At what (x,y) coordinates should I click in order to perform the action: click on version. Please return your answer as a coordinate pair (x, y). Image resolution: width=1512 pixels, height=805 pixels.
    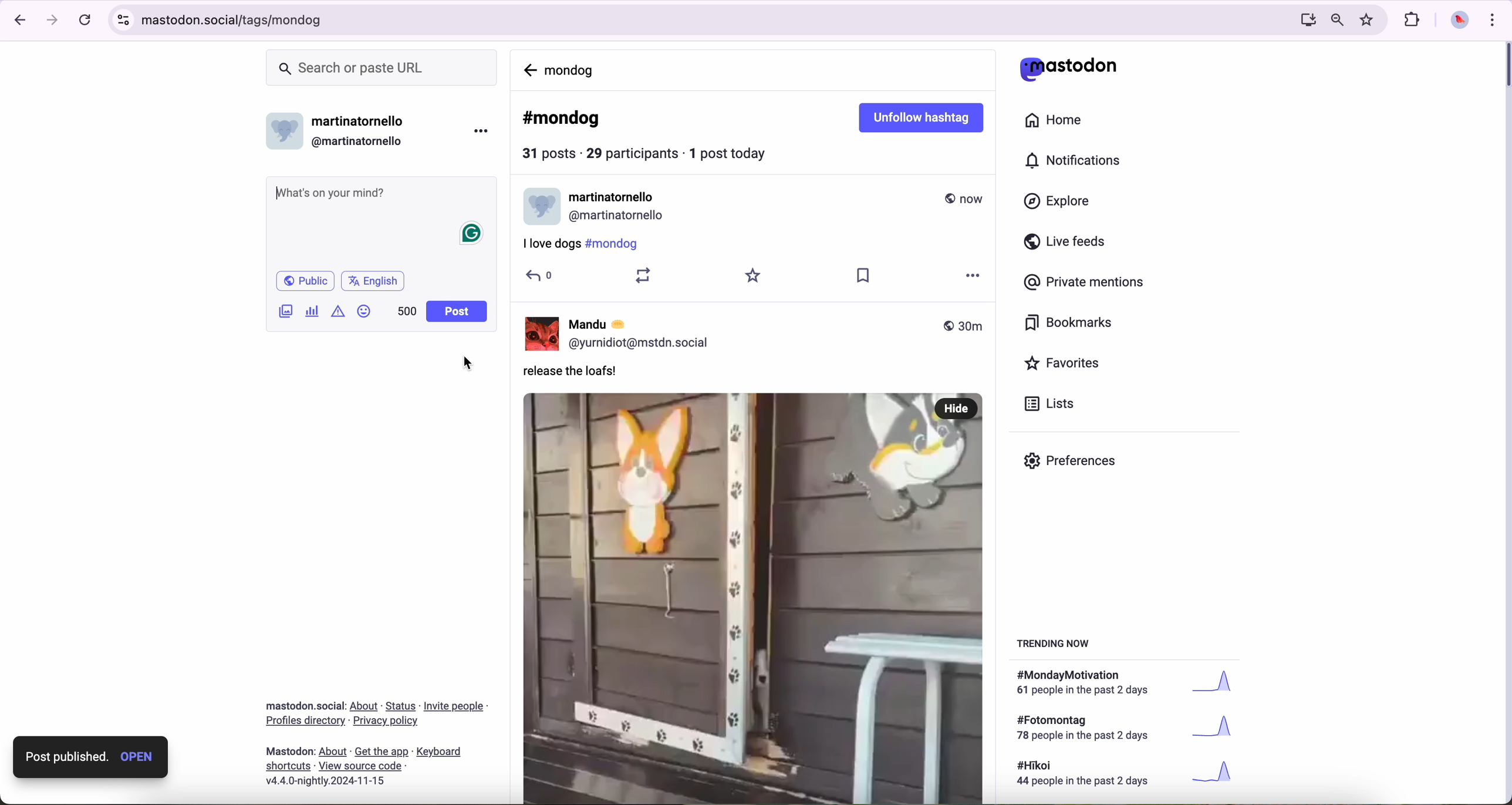
    Looking at the image, I should click on (325, 782).